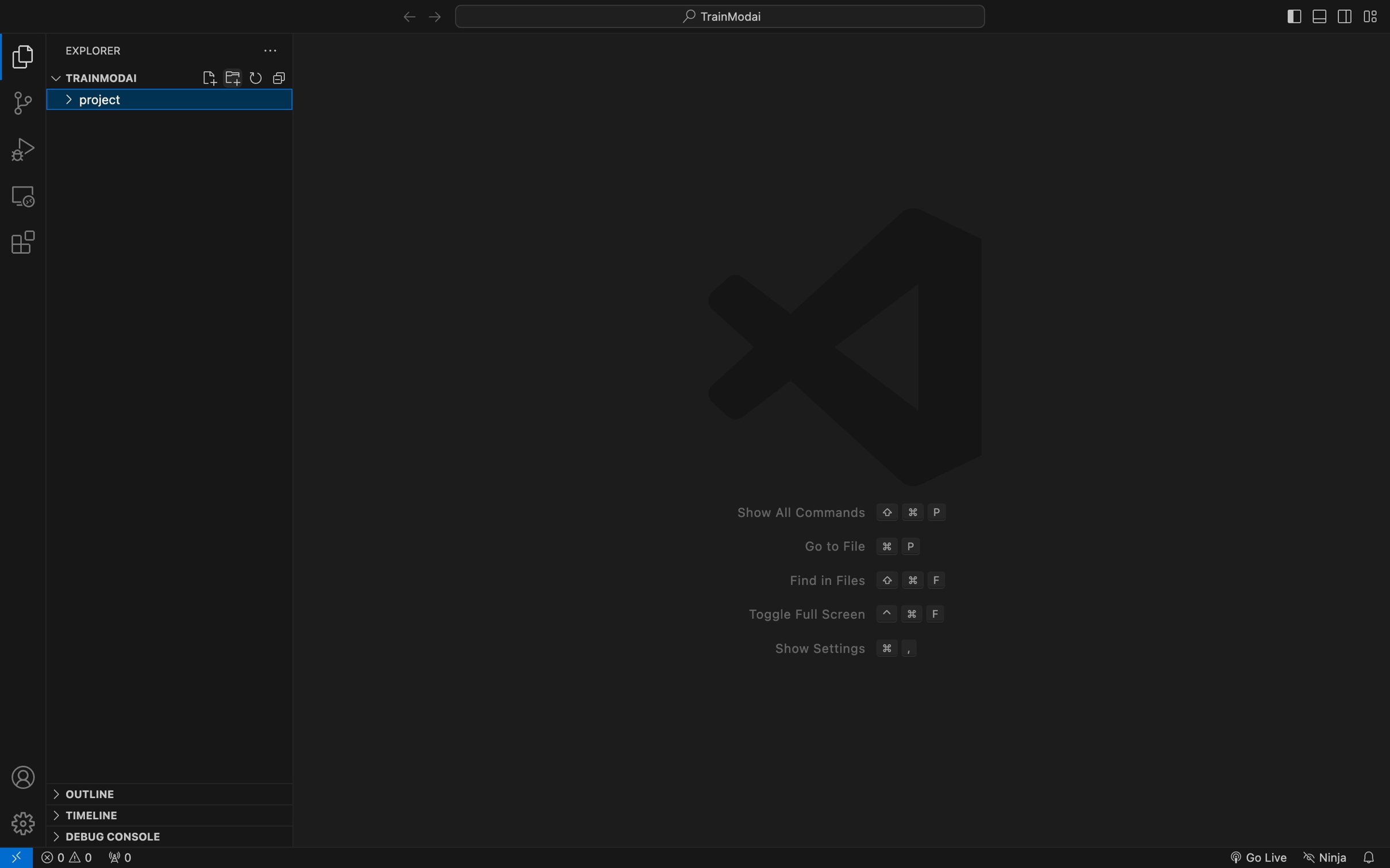  Describe the element at coordinates (25, 776) in the screenshot. I see `profile` at that location.